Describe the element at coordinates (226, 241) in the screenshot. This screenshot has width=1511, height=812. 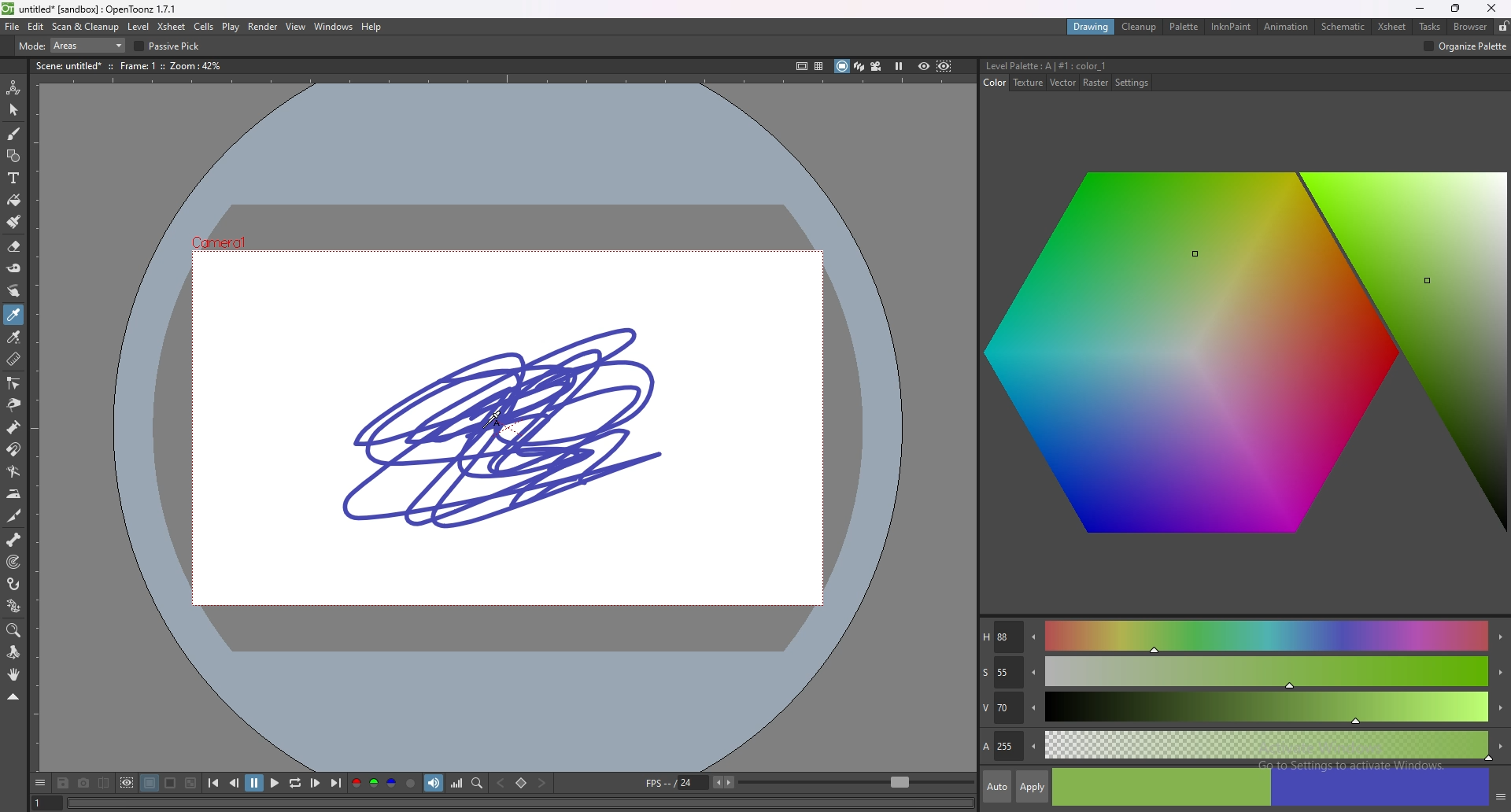
I see `camera1` at that location.